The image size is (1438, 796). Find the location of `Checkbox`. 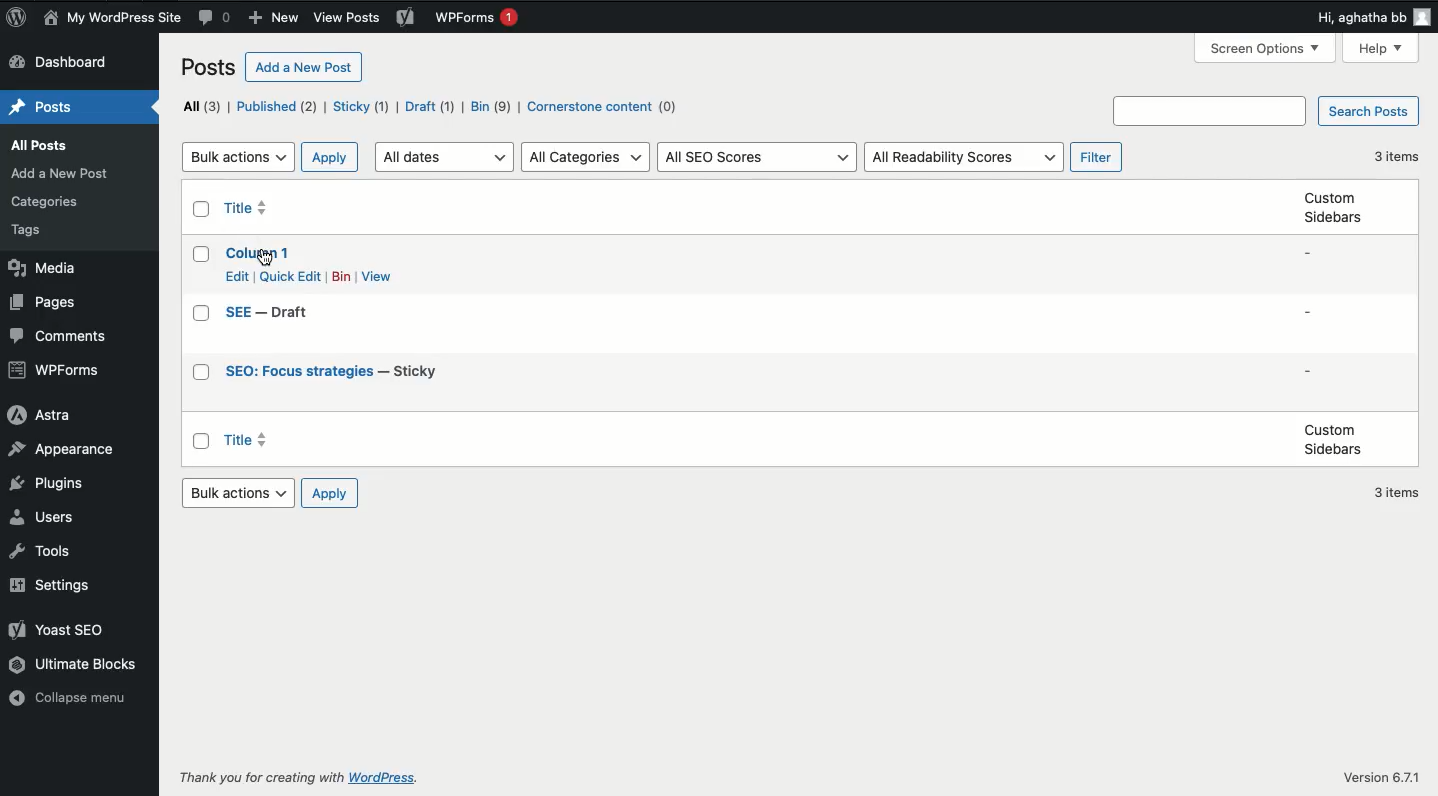

Checkbox is located at coordinates (203, 373).